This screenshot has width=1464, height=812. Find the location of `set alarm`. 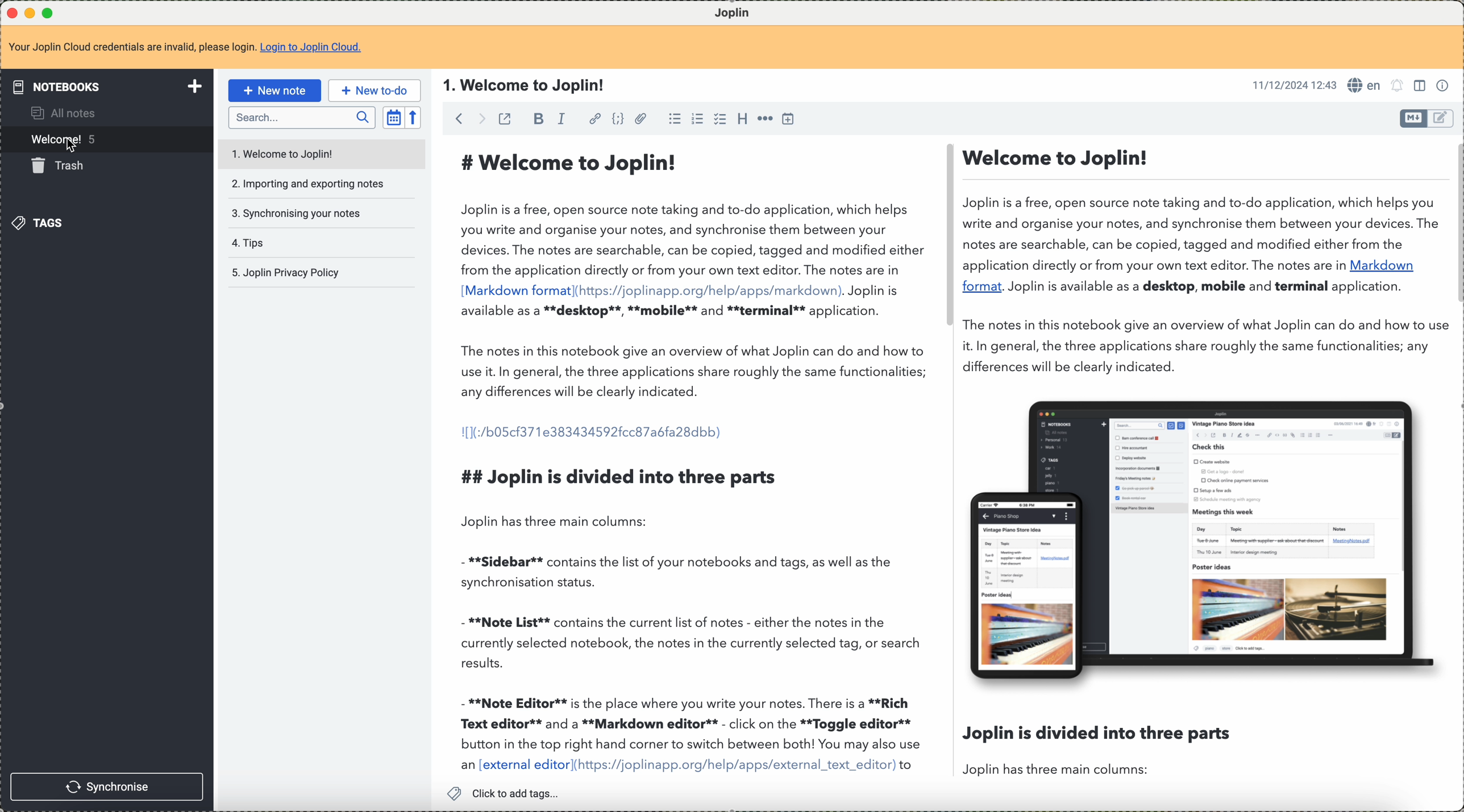

set alarm is located at coordinates (1398, 86).